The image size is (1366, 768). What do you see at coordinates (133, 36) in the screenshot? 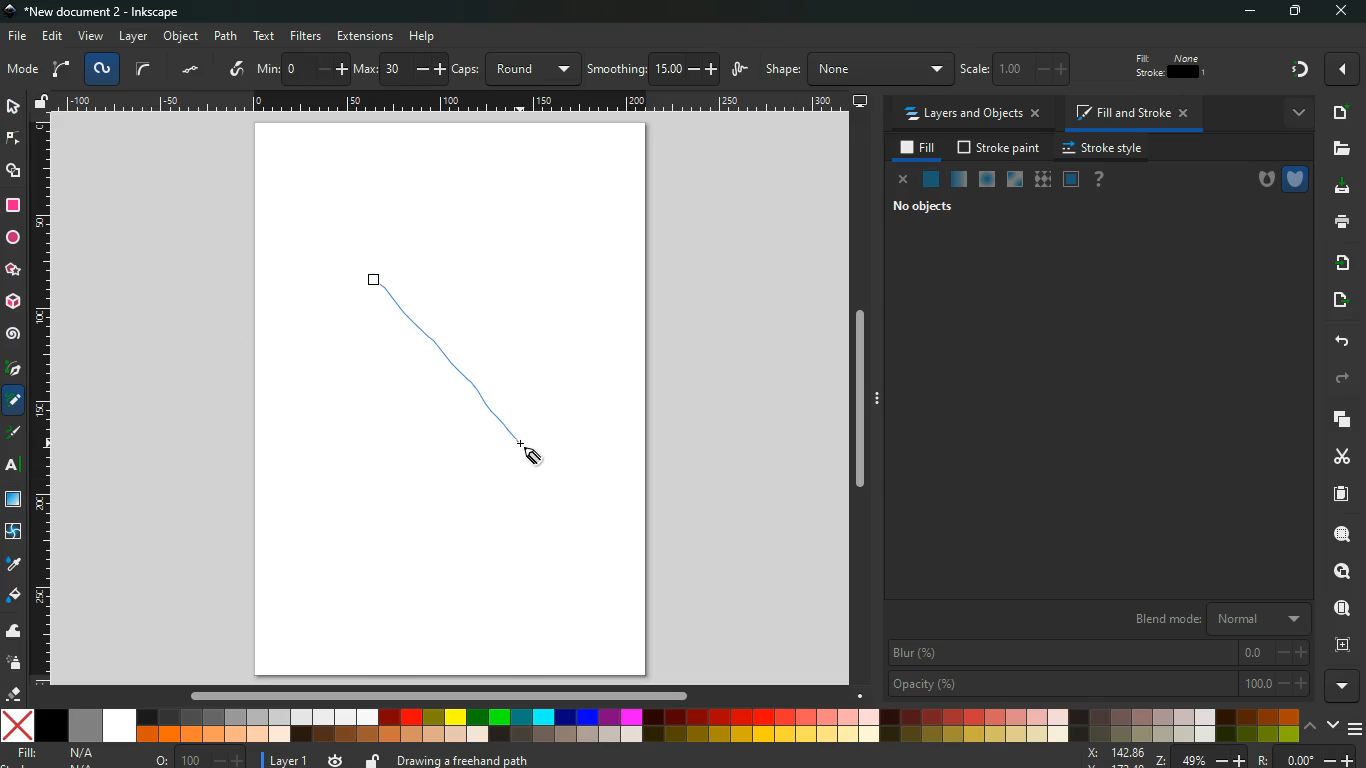
I see `layer` at bounding box center [133, 36].